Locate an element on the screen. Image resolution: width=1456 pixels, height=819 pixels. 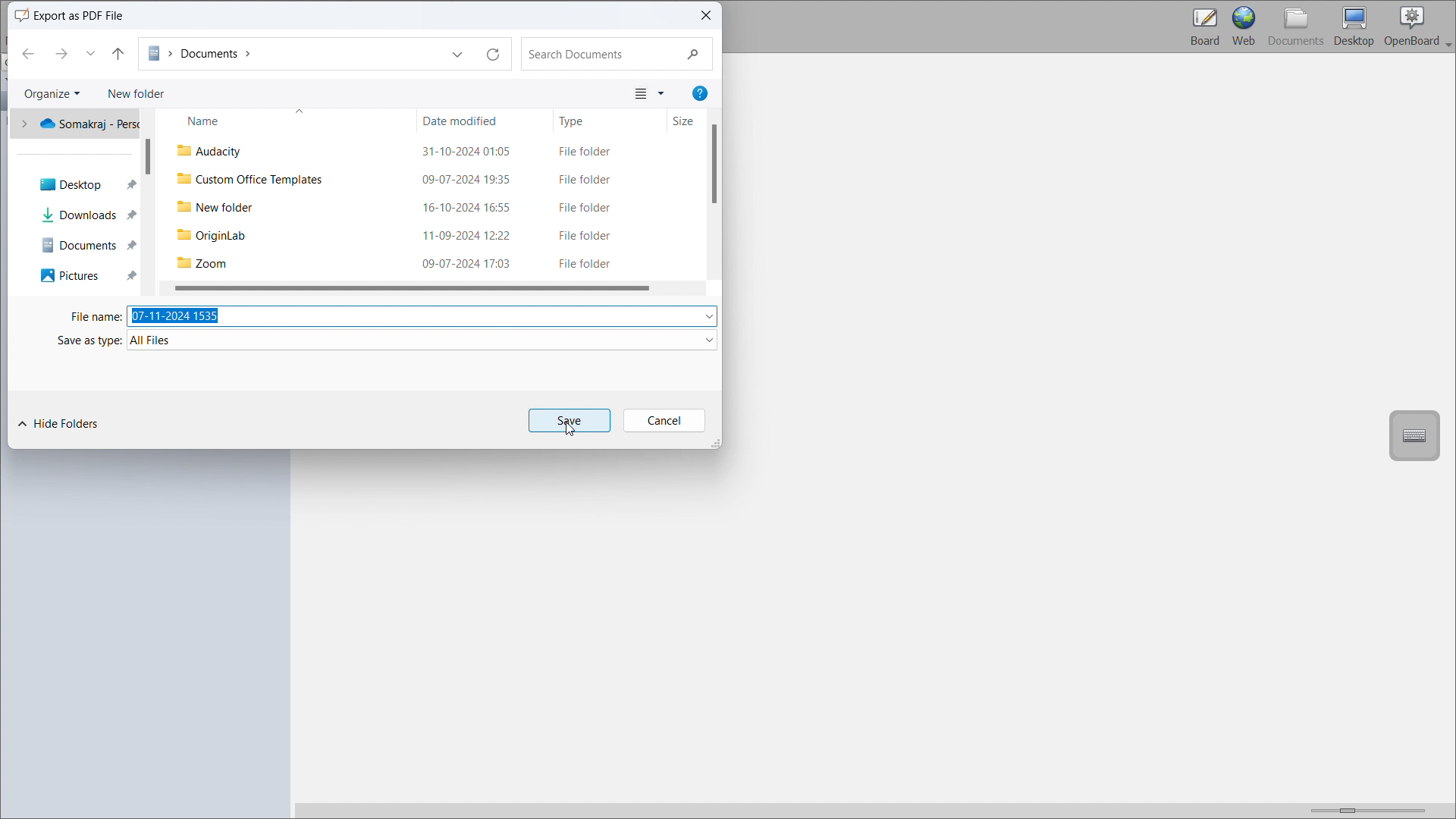
16-10-2024 16:55 is located at coordinates (471, 209).